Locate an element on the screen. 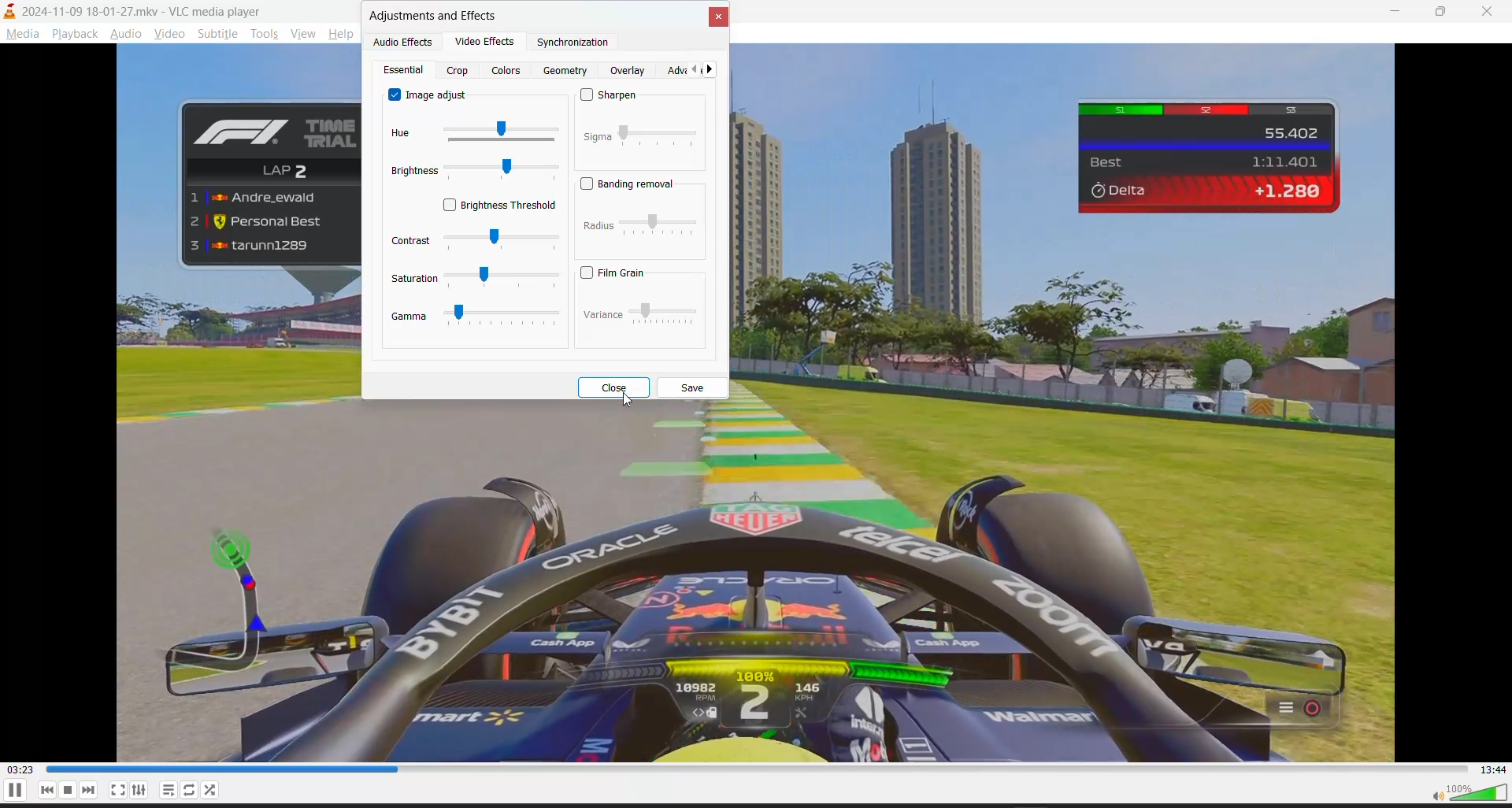 The height and width of the screenshot is (808, 1512). close is located at coordinates (720, 18).